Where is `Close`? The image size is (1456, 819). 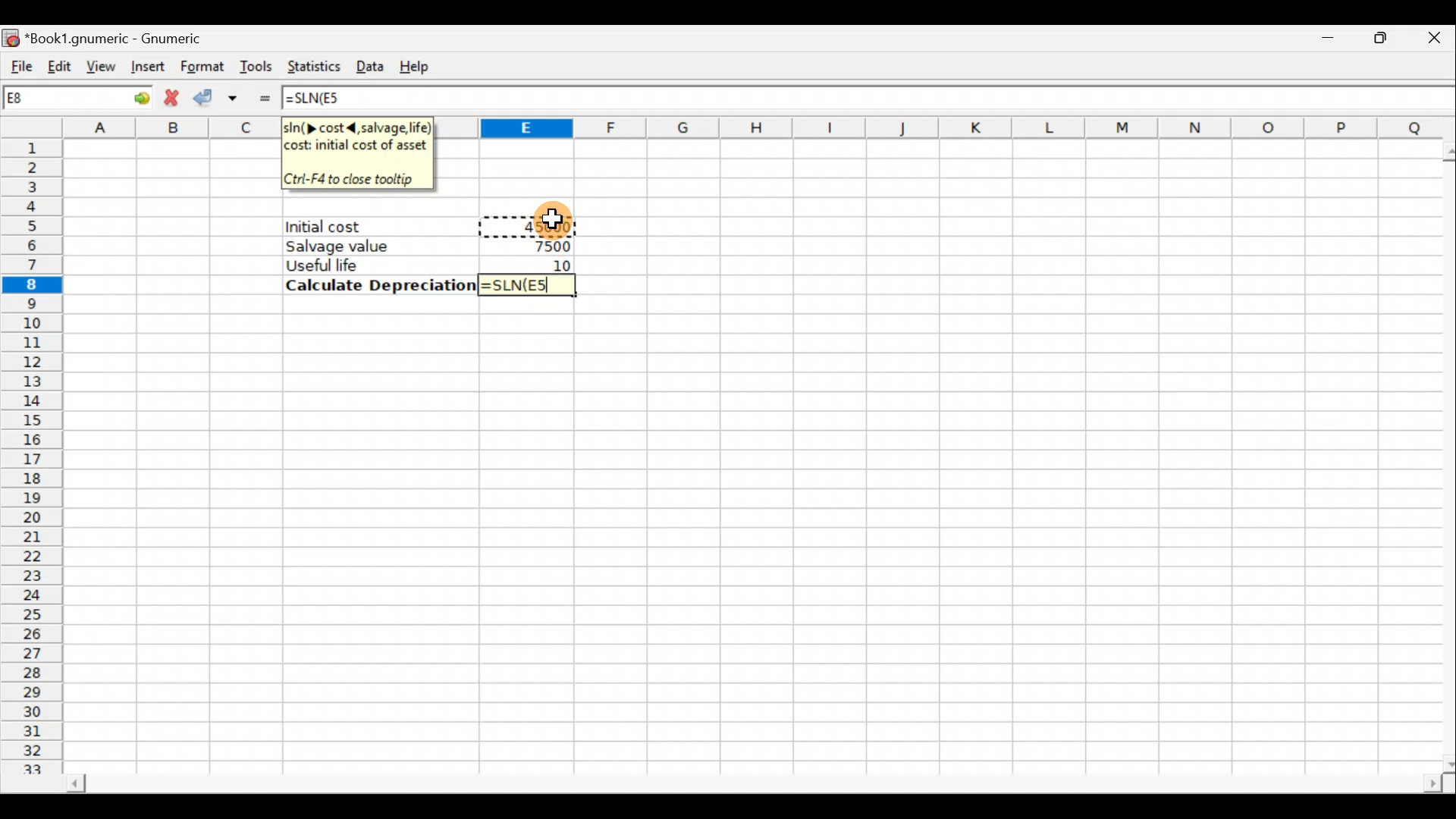 Close is located at coordinates (1425, 42).